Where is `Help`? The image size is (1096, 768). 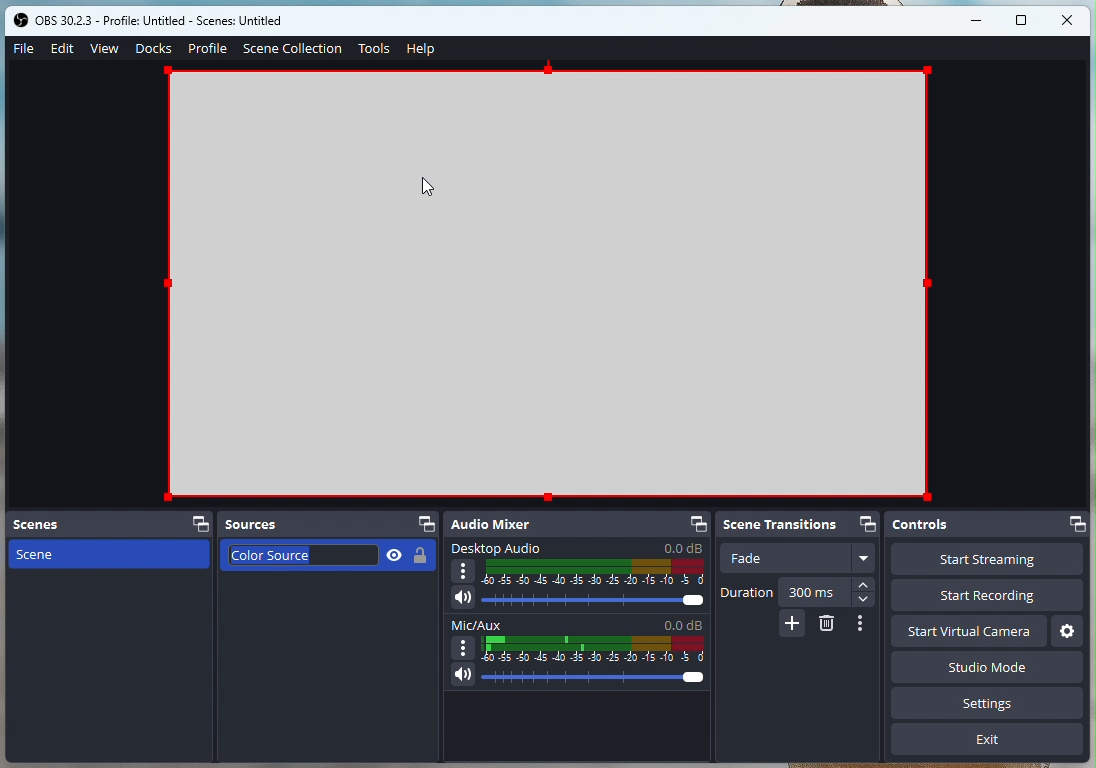
Help is located at coordinates (420, 50).